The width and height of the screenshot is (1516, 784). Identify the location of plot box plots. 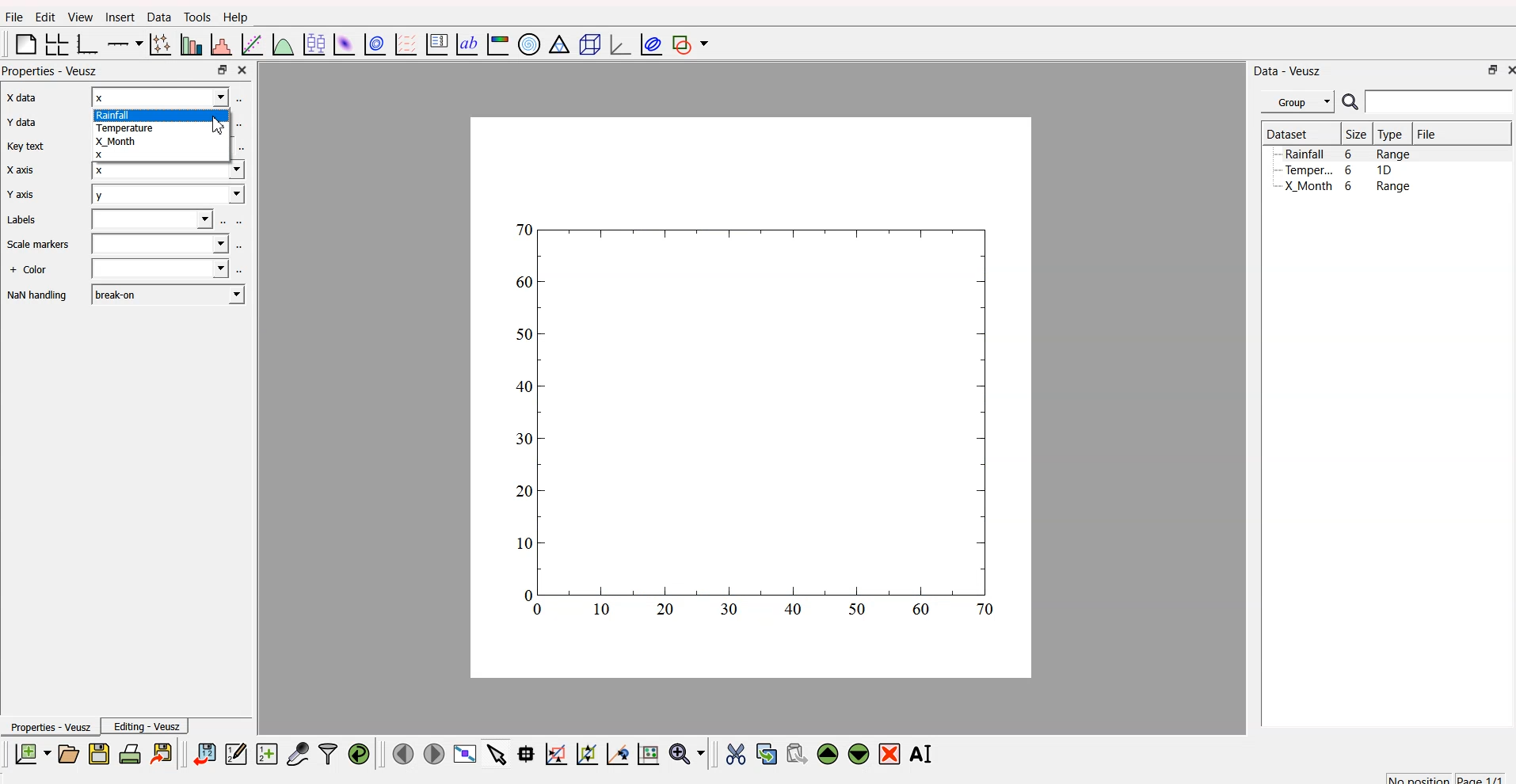
(314, 43).